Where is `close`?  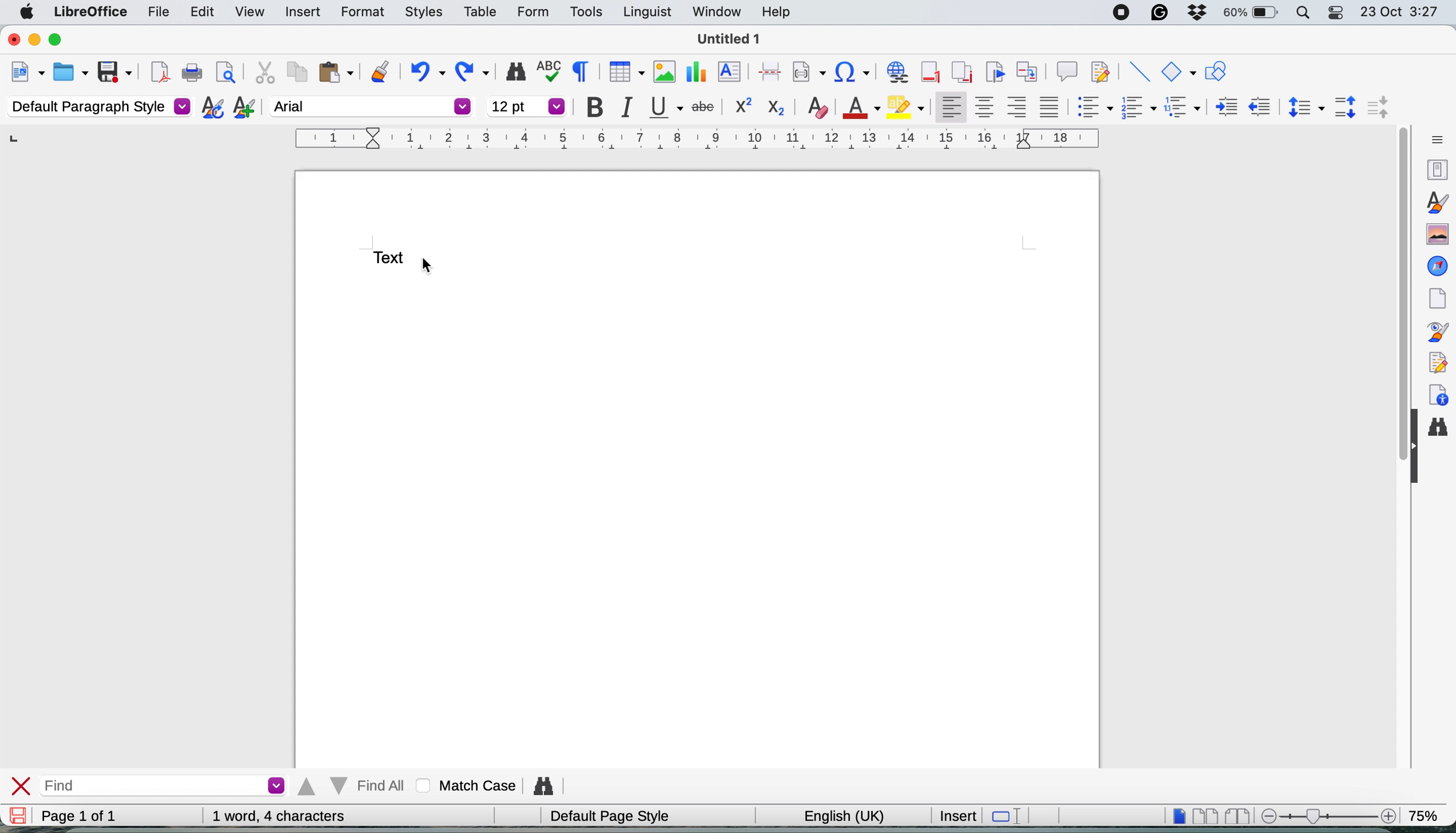
close is located at coordinates (22, 785).